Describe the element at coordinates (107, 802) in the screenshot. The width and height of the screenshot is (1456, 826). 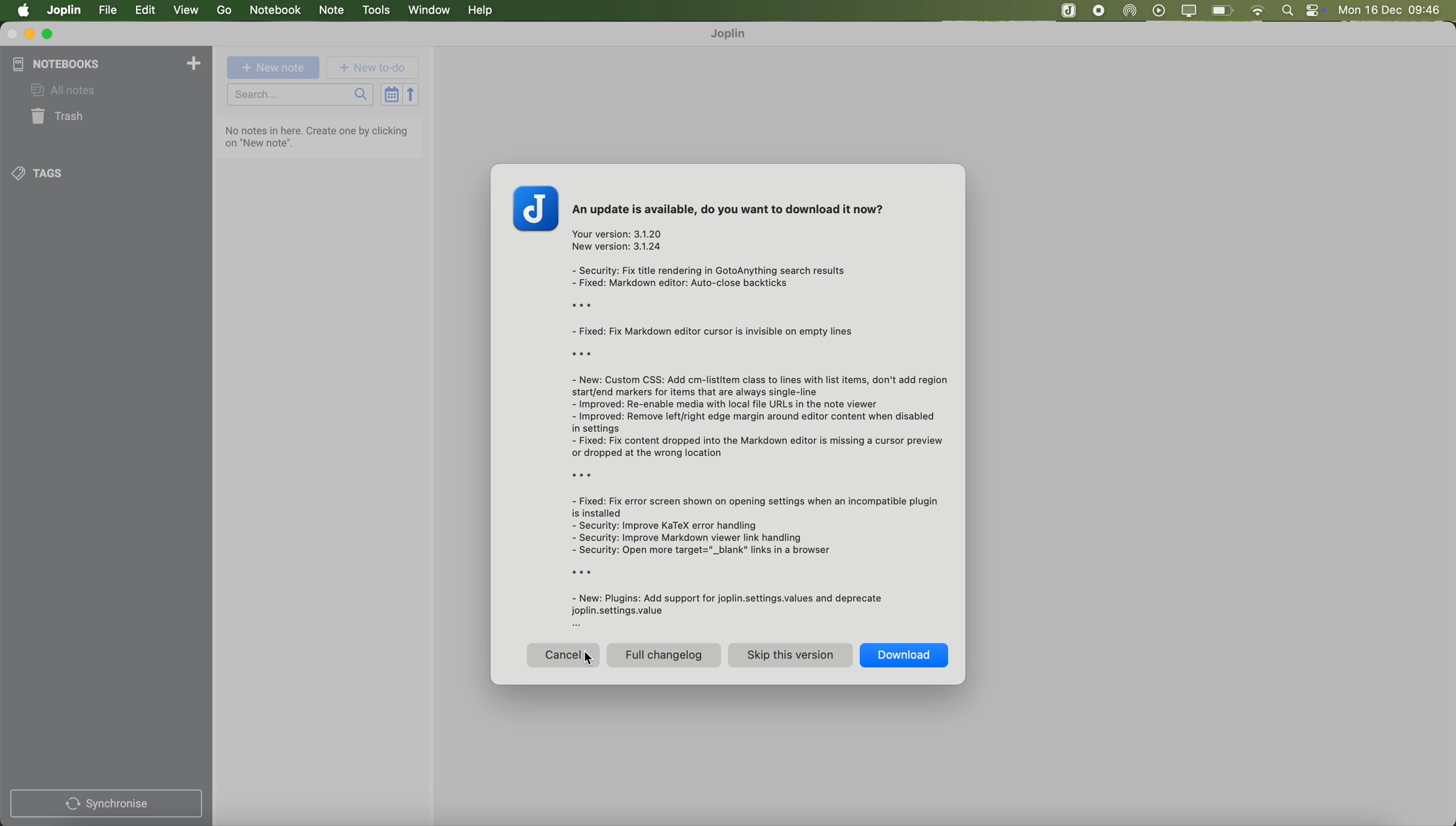
I see `synchronise` at that location.